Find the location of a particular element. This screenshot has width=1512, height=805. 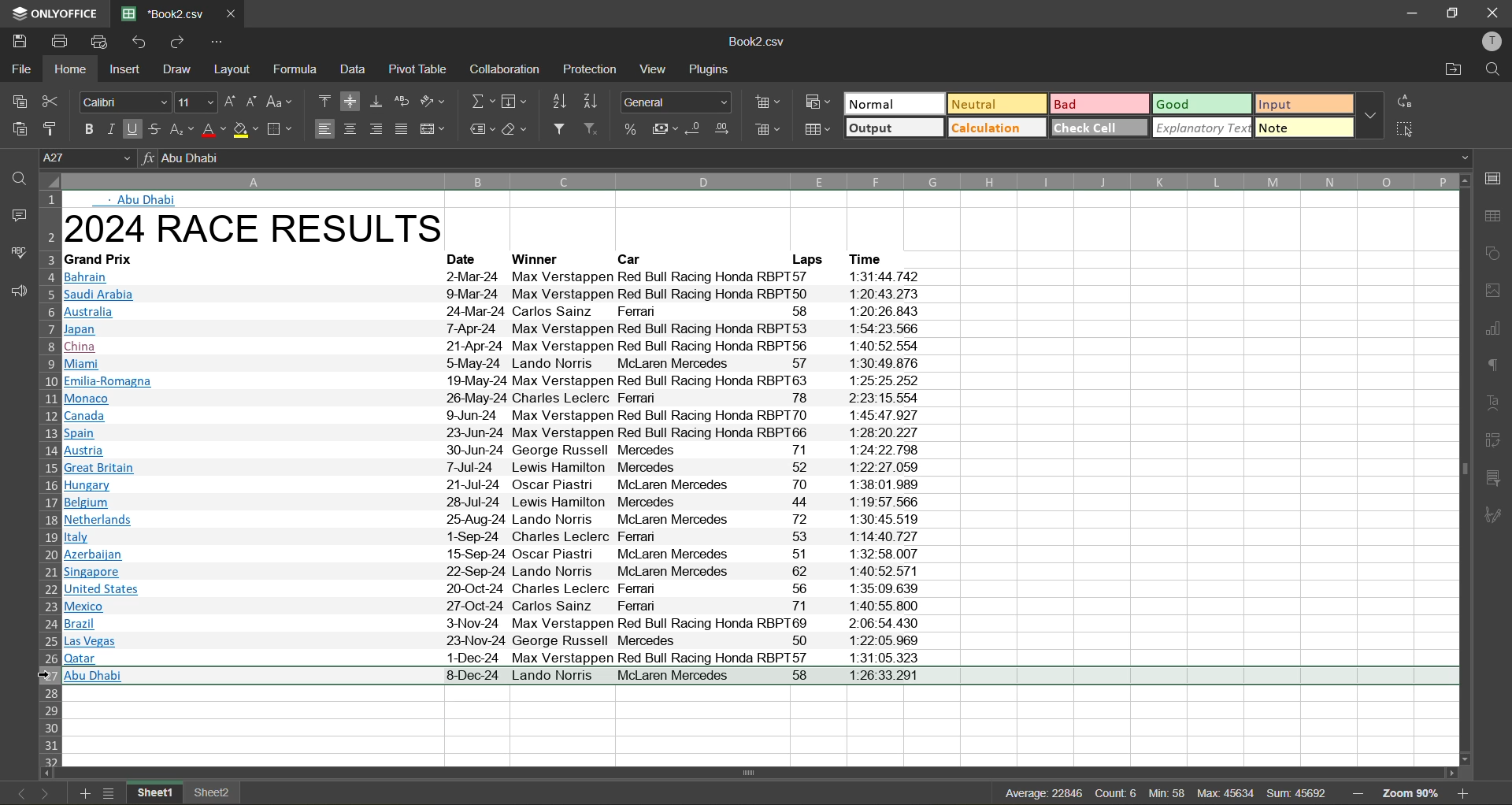

accounting is located at coordinates (663, 129).